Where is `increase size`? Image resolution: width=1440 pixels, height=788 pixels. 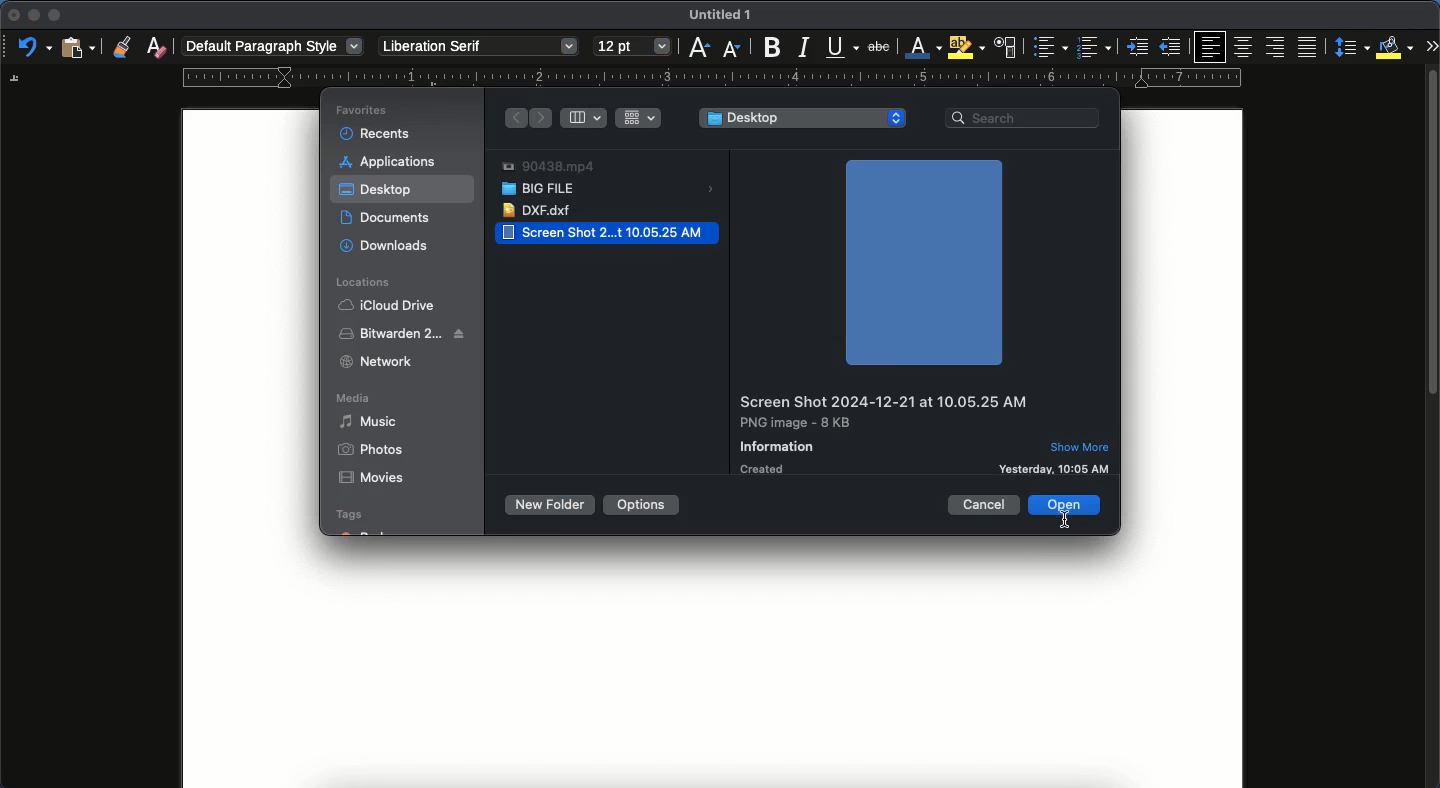
increase size is located at coordinates (697, 48).